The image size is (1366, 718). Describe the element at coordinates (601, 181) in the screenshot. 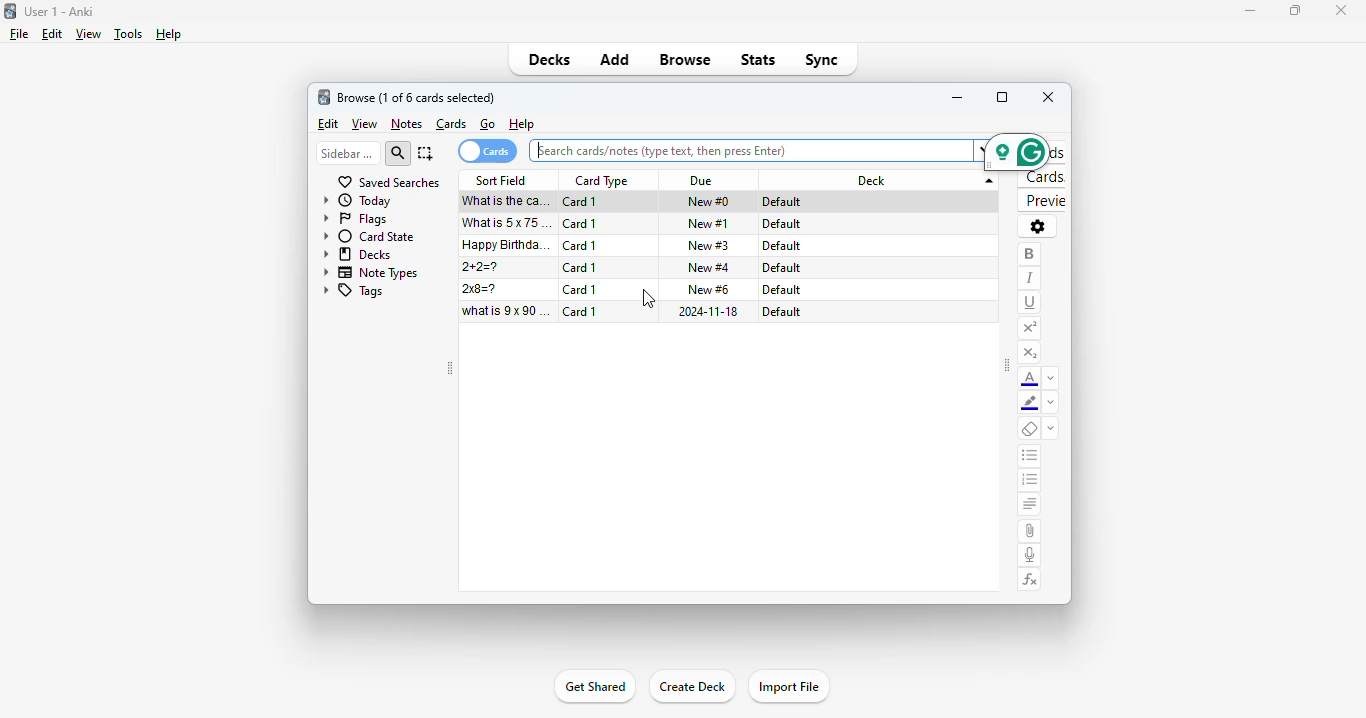

I see `card type` at that location.